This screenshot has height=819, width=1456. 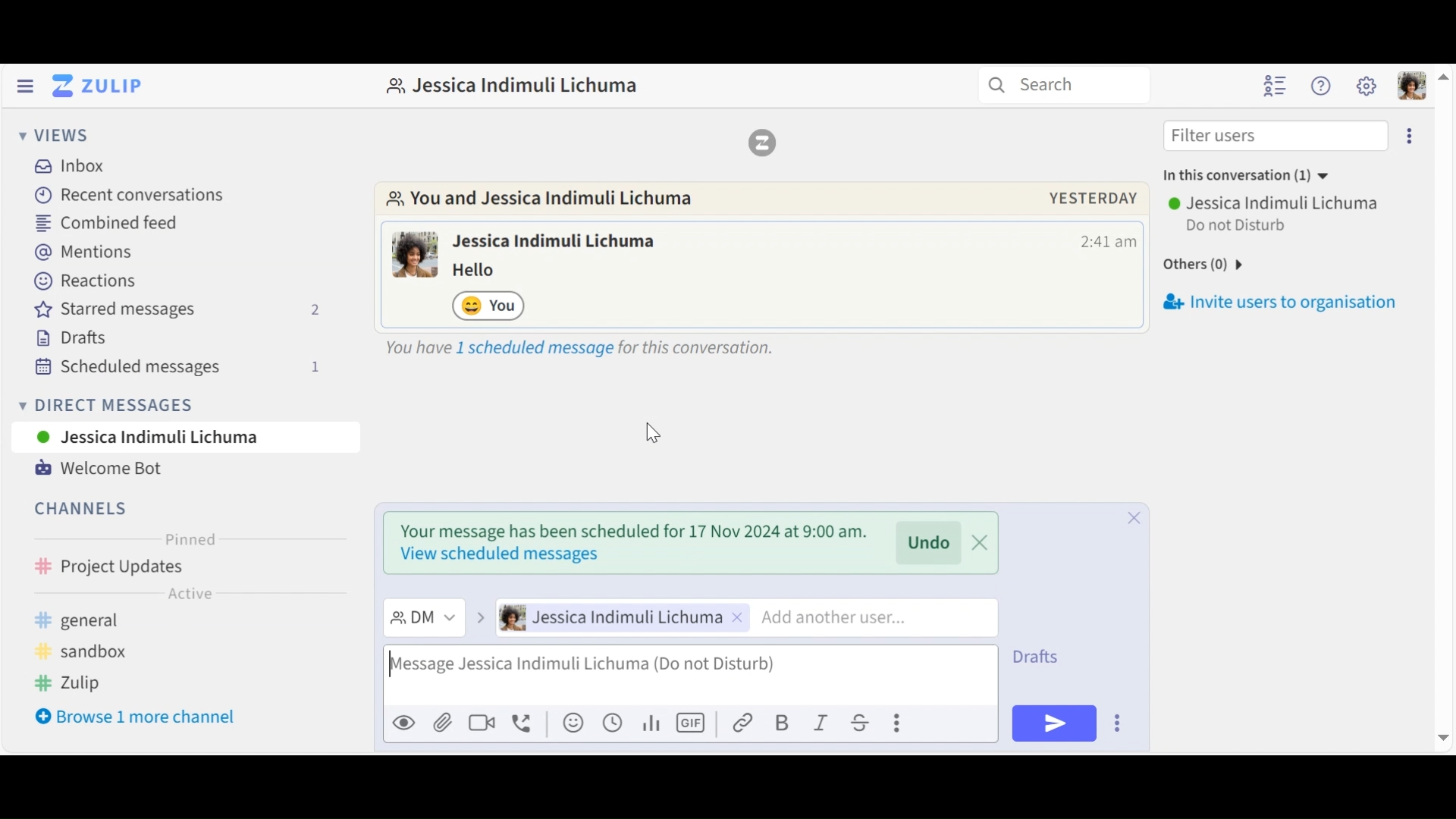 What do you see at coordinates (1277, 86) in the screenshot?
I see `Hide user list` at bounding box center [1277, 86].